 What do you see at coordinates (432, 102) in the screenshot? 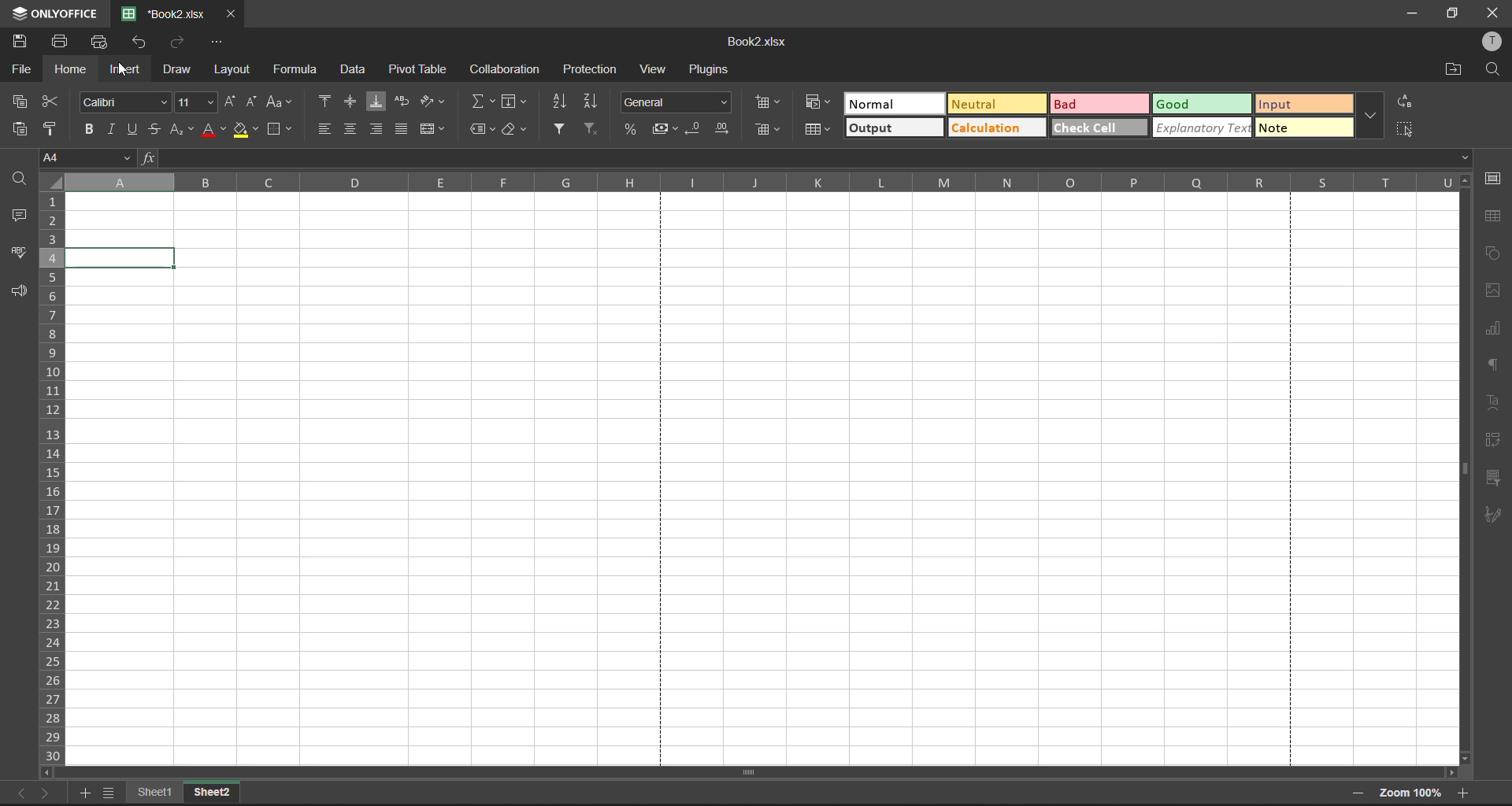
I see `orientation` at bounding box center [432, 102].